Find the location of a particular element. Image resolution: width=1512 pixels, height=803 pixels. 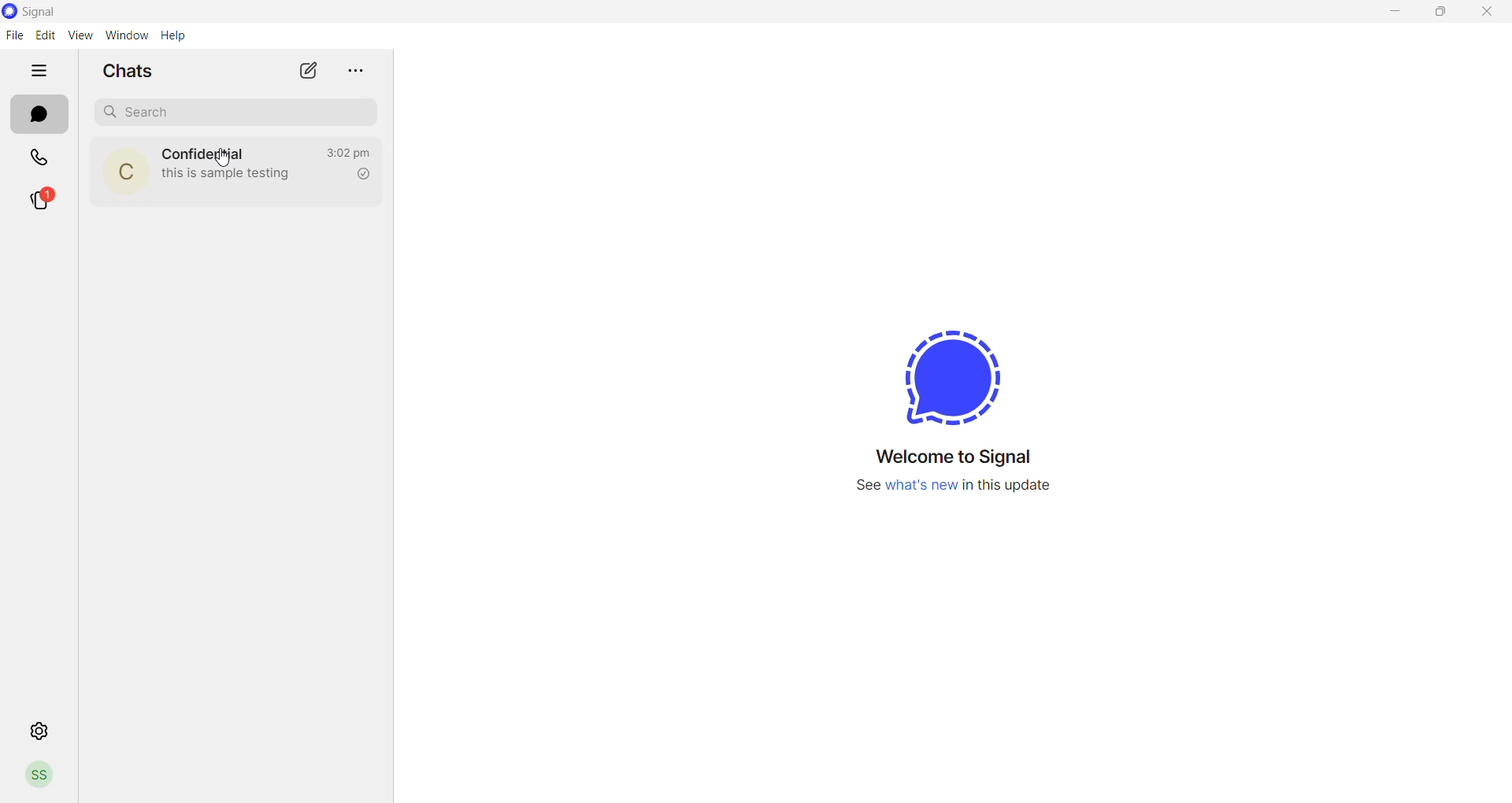

edit is located at coordinates (44, 34).